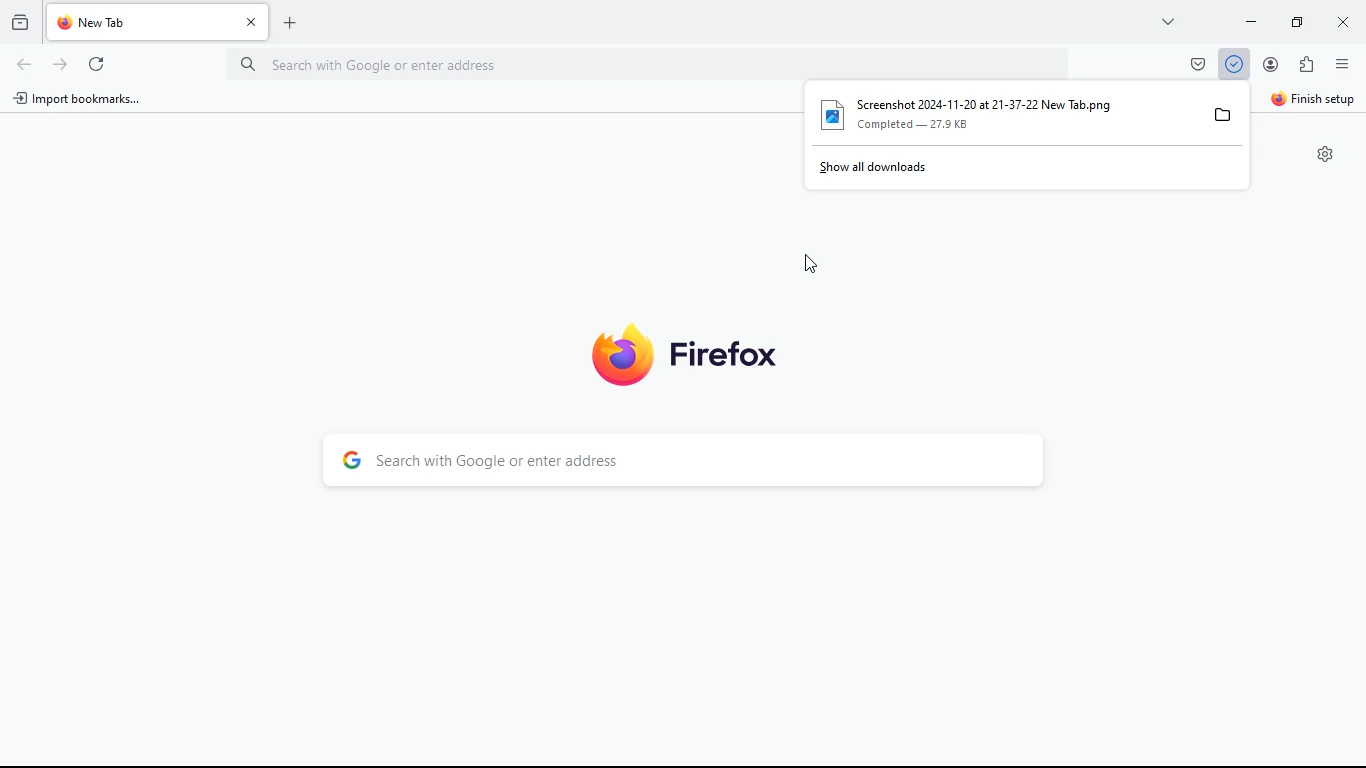 Image resolution: width=1366 pixels, height=768 pixels. I want to click on close, so click(1340, 21).